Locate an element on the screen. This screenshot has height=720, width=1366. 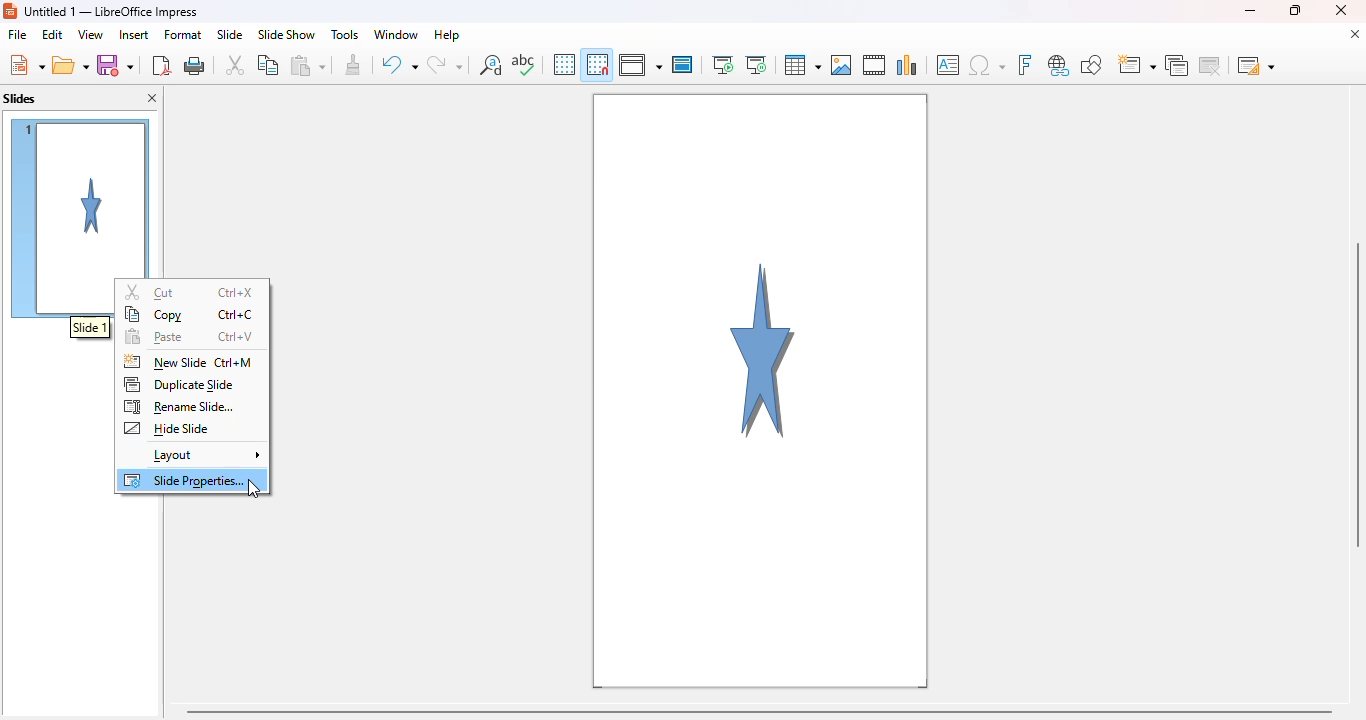
redo is located at coordinates (445, 63).